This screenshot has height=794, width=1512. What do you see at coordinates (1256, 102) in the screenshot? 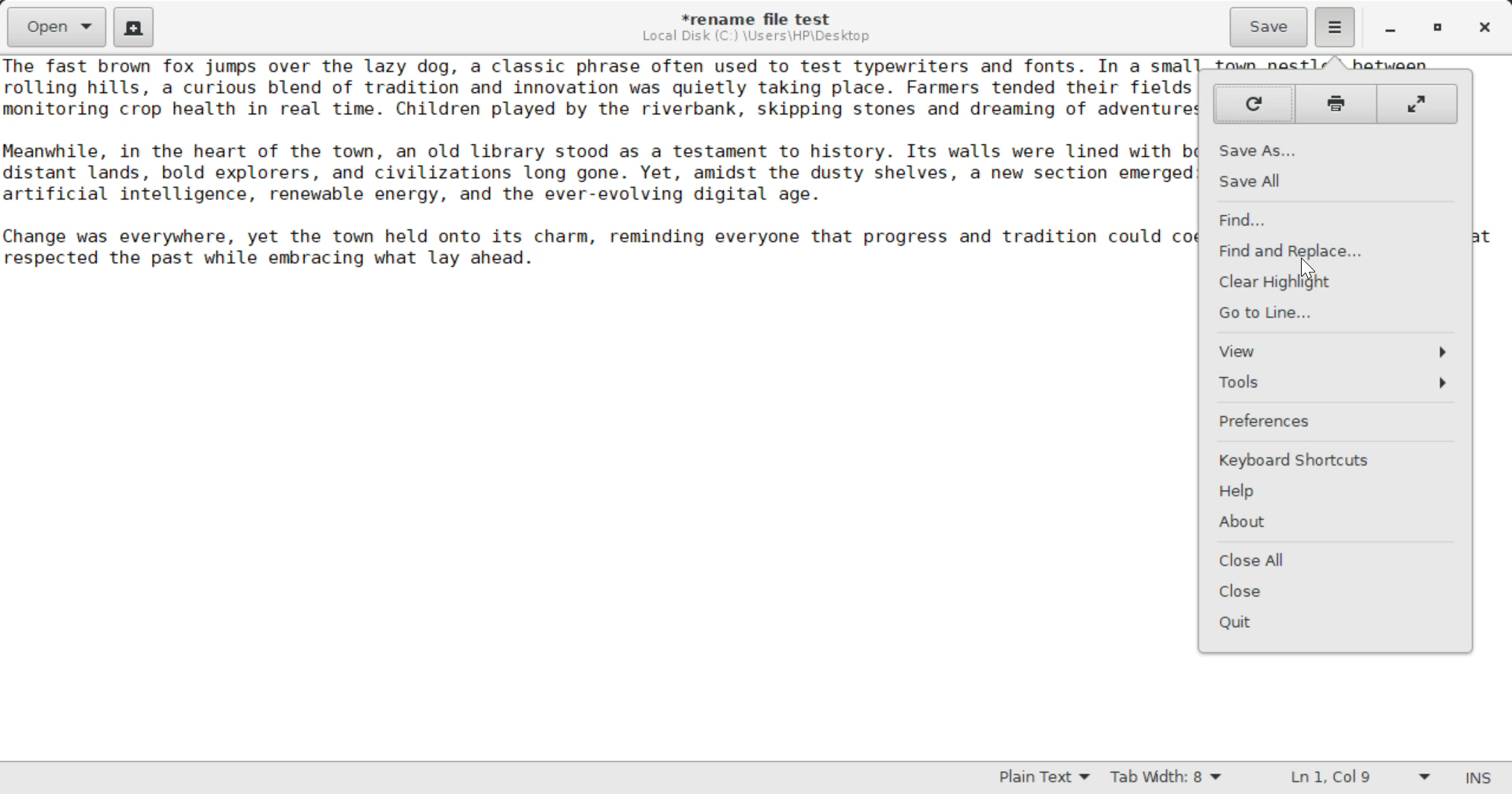
I see `Refresh Page` at bounding box center [1256, 102].